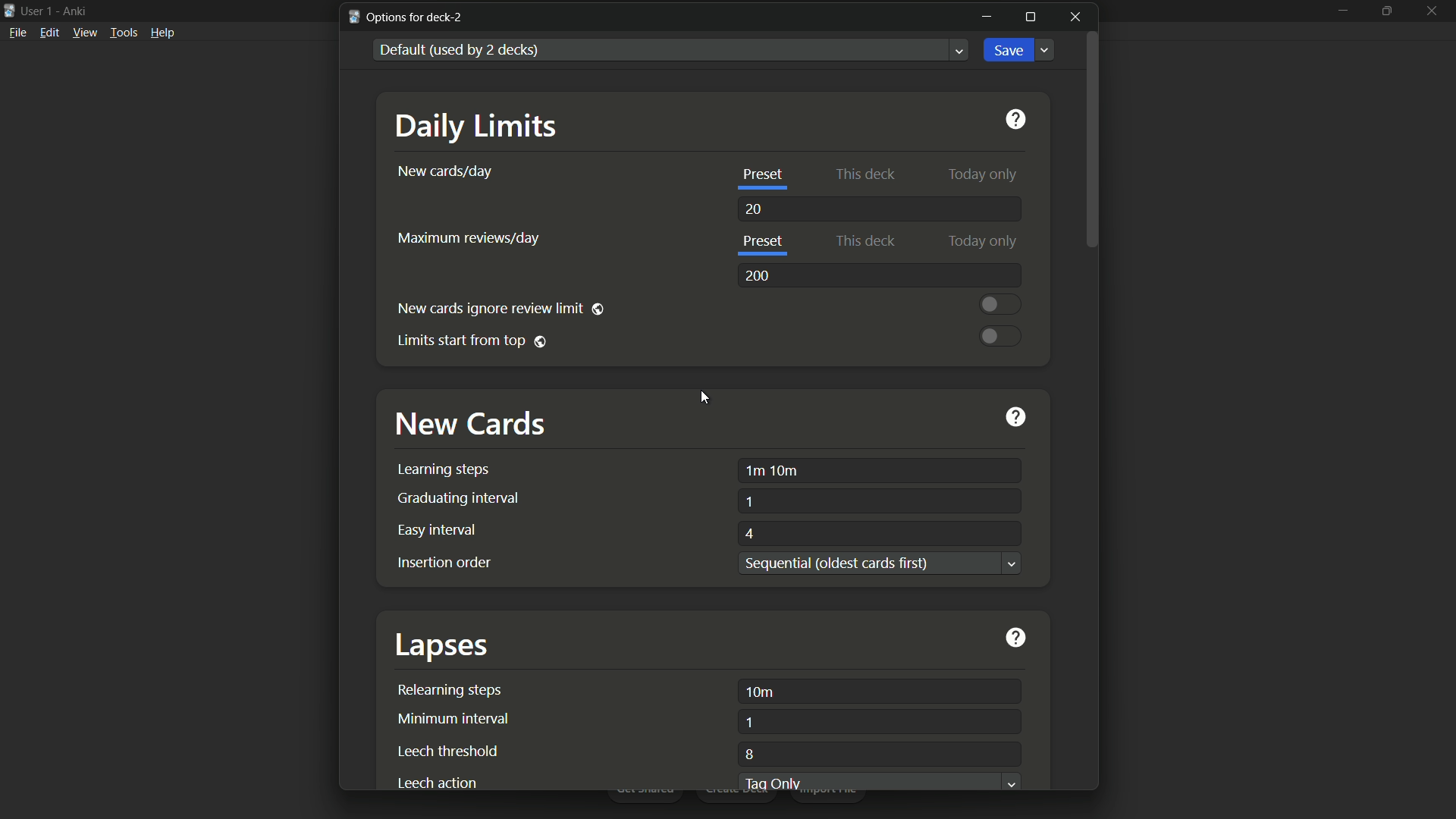 The image size is (1456, 819). Describe the element at coordinates (474, 422) in the screenshot. I see `new cards` at that location.